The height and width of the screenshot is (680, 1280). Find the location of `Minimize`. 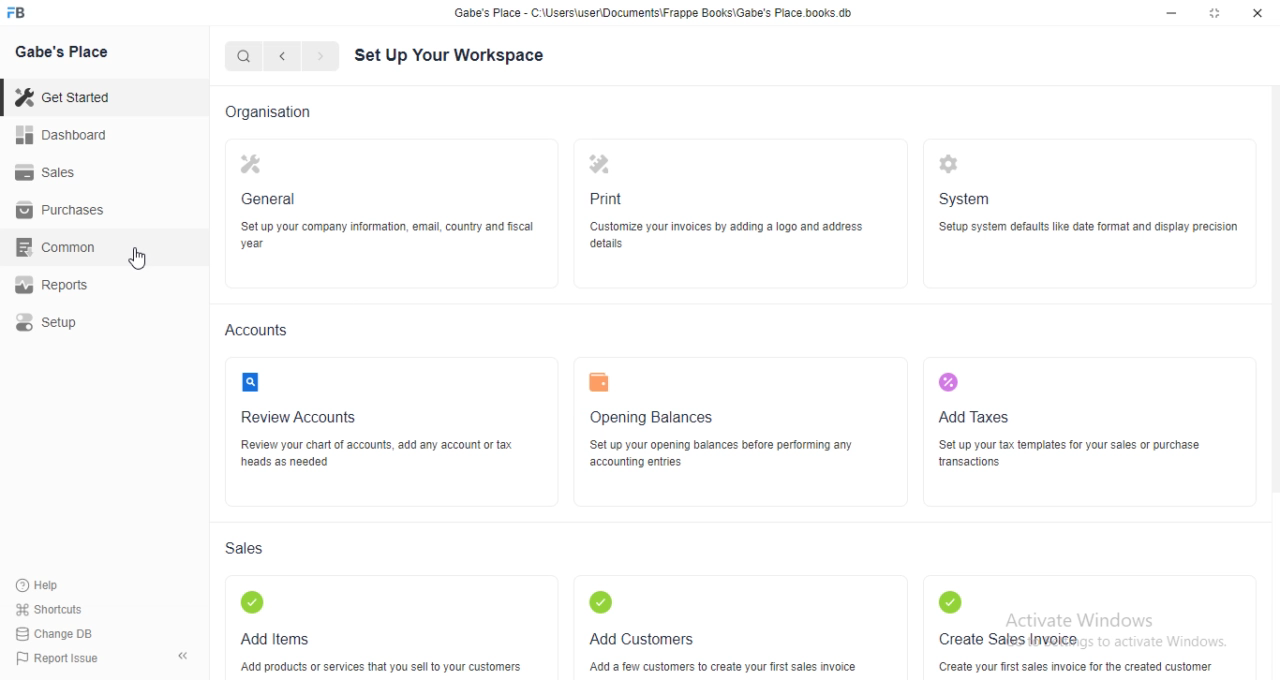

Minimize is located at coordinates (1172, 13).